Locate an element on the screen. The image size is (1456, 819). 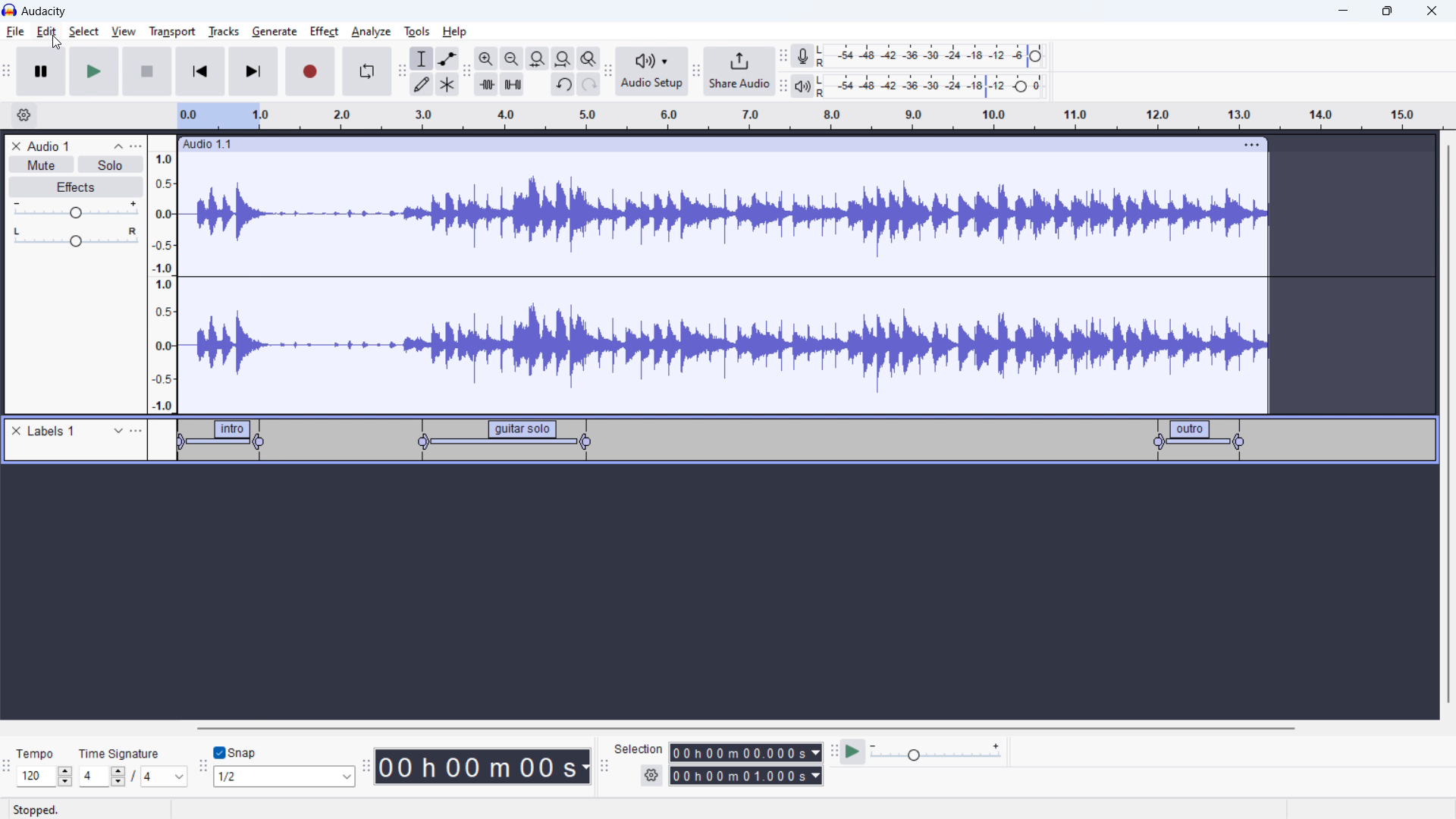
help is located at coordinates (457, 32).